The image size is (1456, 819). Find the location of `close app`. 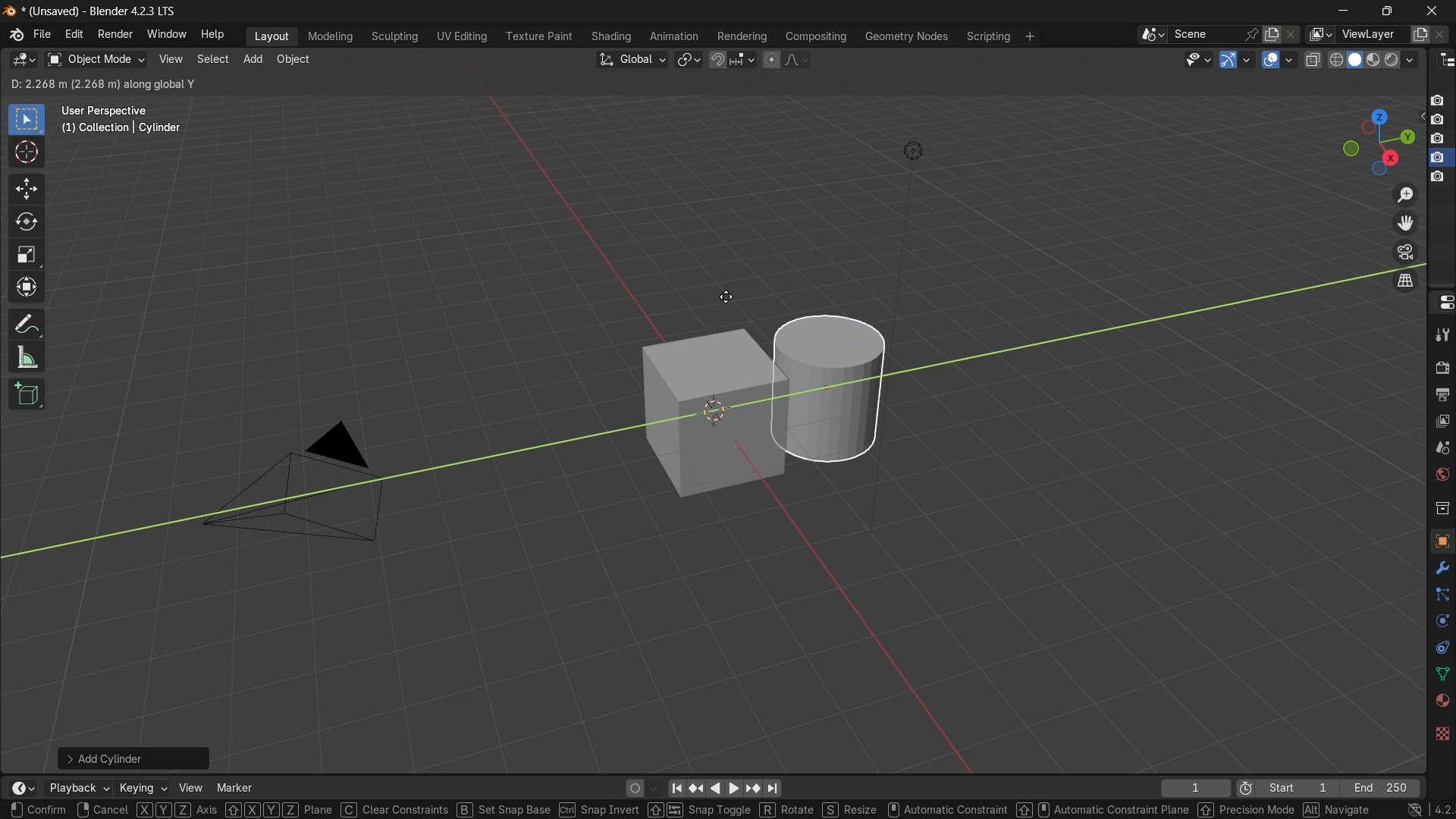

close app is located at coordinates (1432, 11).